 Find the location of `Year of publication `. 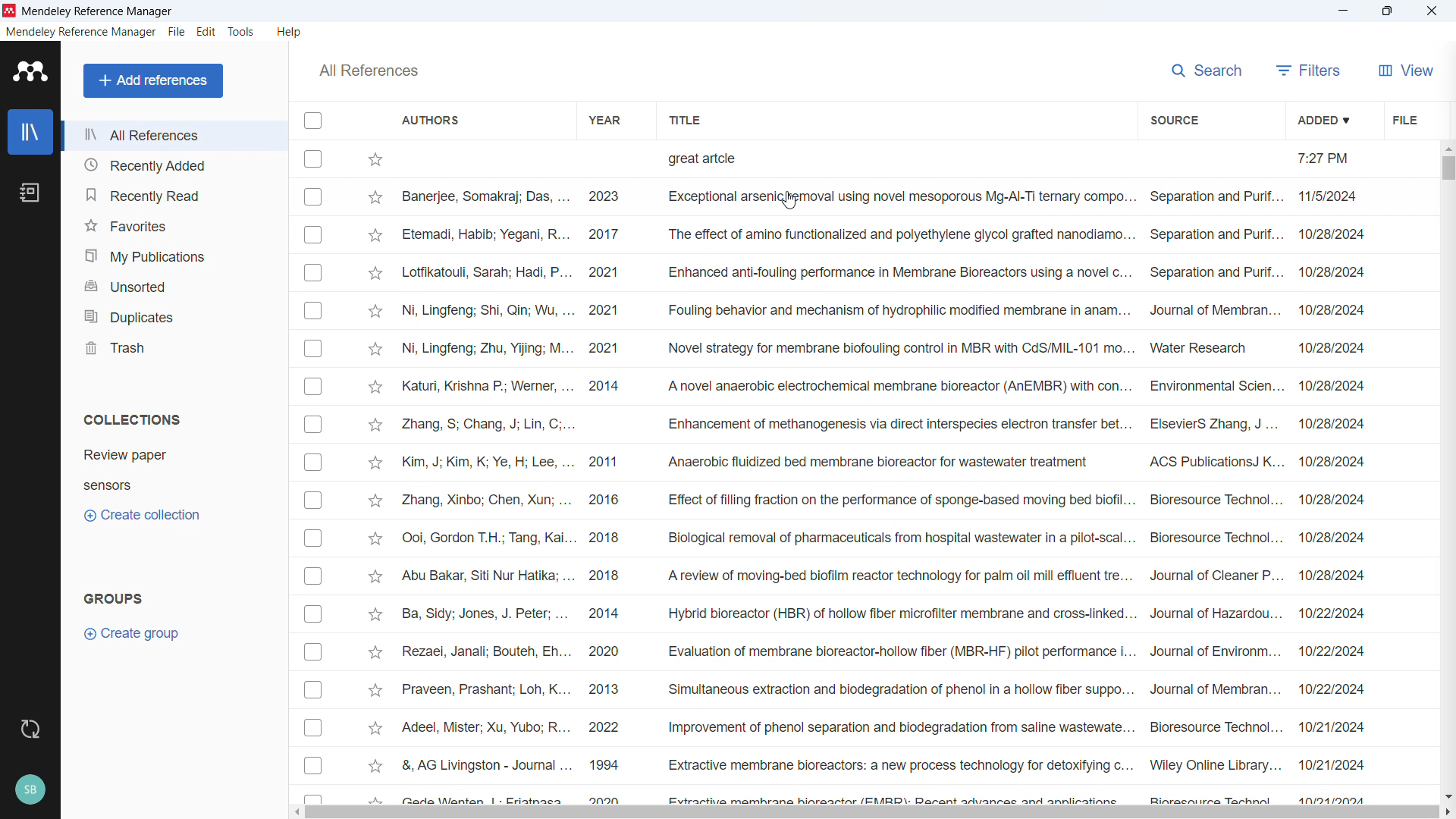

Year of publication  is located at coordinates (604, 476).